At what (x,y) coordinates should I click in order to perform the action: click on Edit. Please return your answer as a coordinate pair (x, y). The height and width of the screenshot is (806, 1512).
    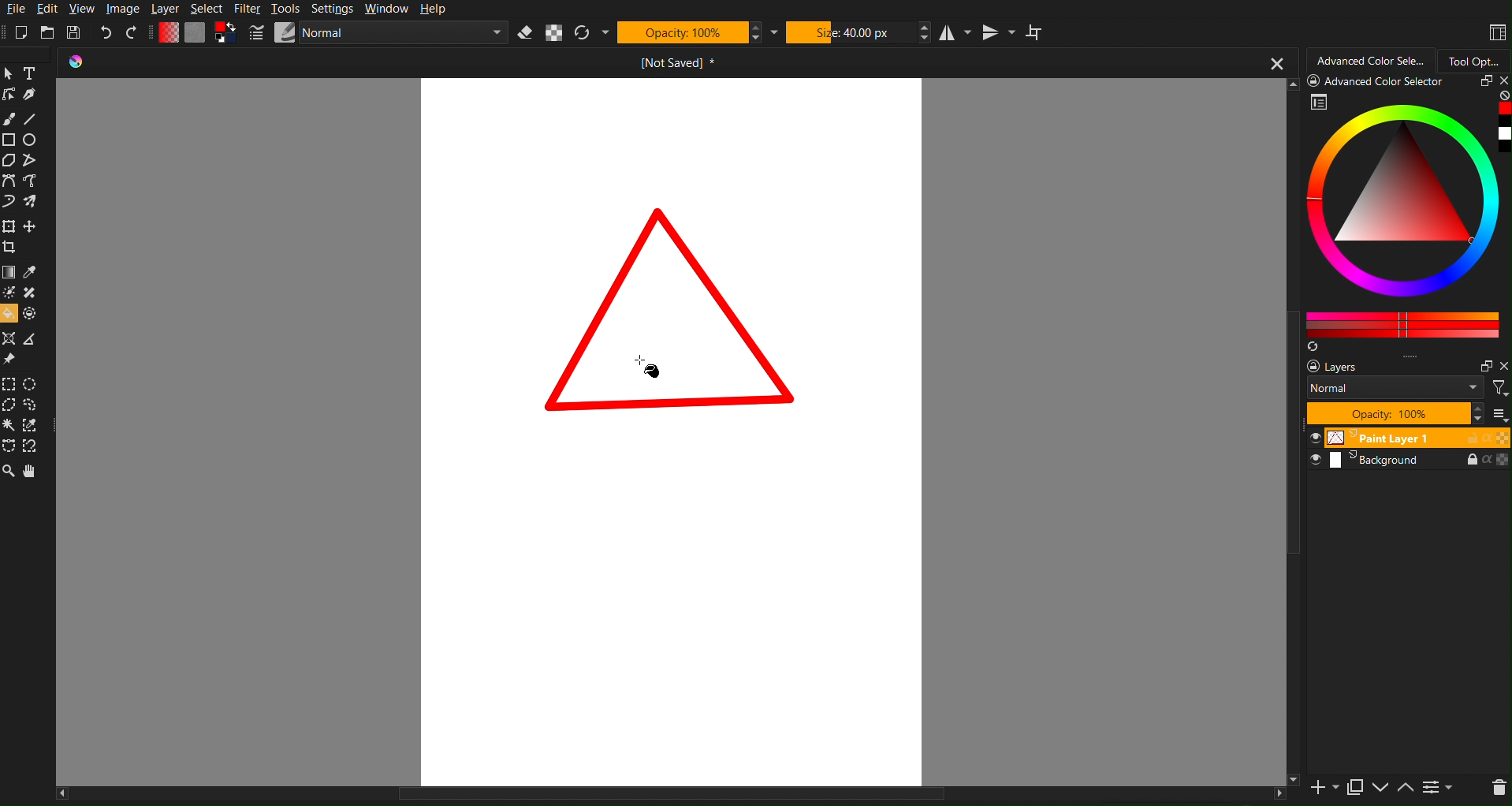
    Looking at the image, I should click on (50, 9).